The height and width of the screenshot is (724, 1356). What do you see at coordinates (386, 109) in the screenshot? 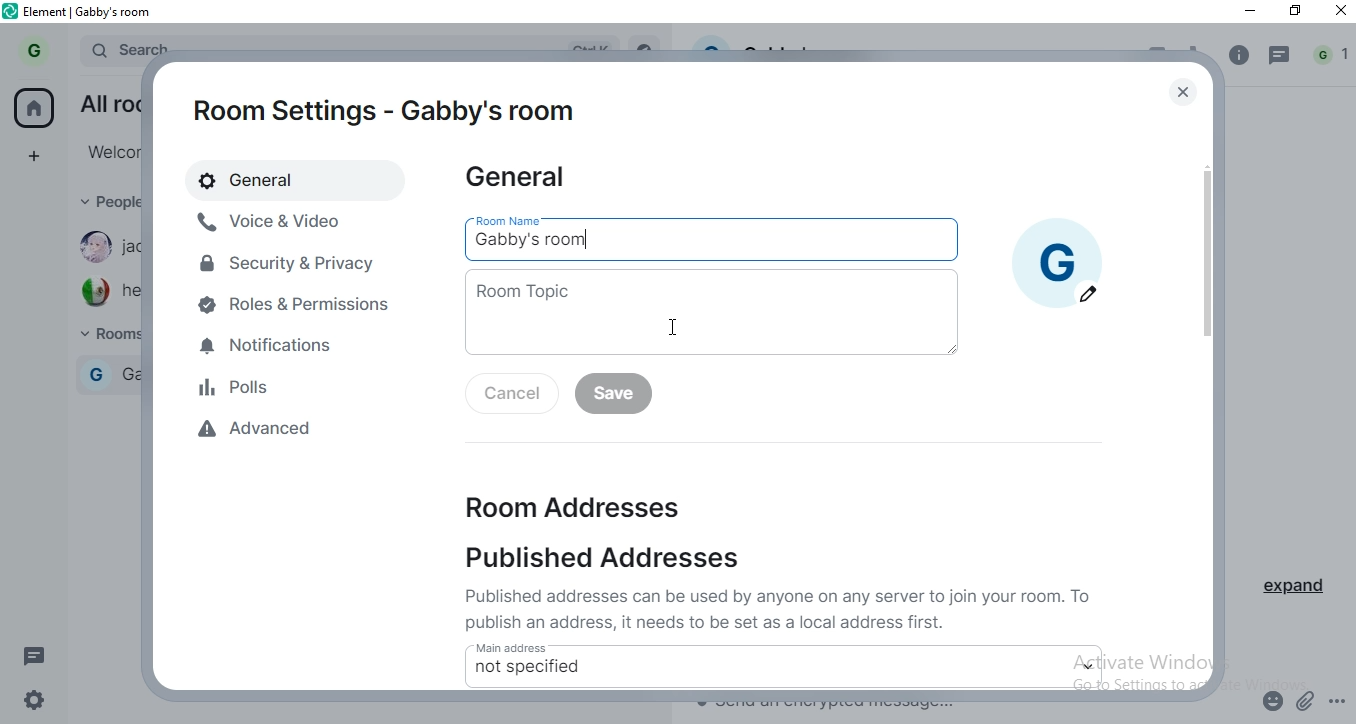
I see `room settings` at bounding box center [386, 109].